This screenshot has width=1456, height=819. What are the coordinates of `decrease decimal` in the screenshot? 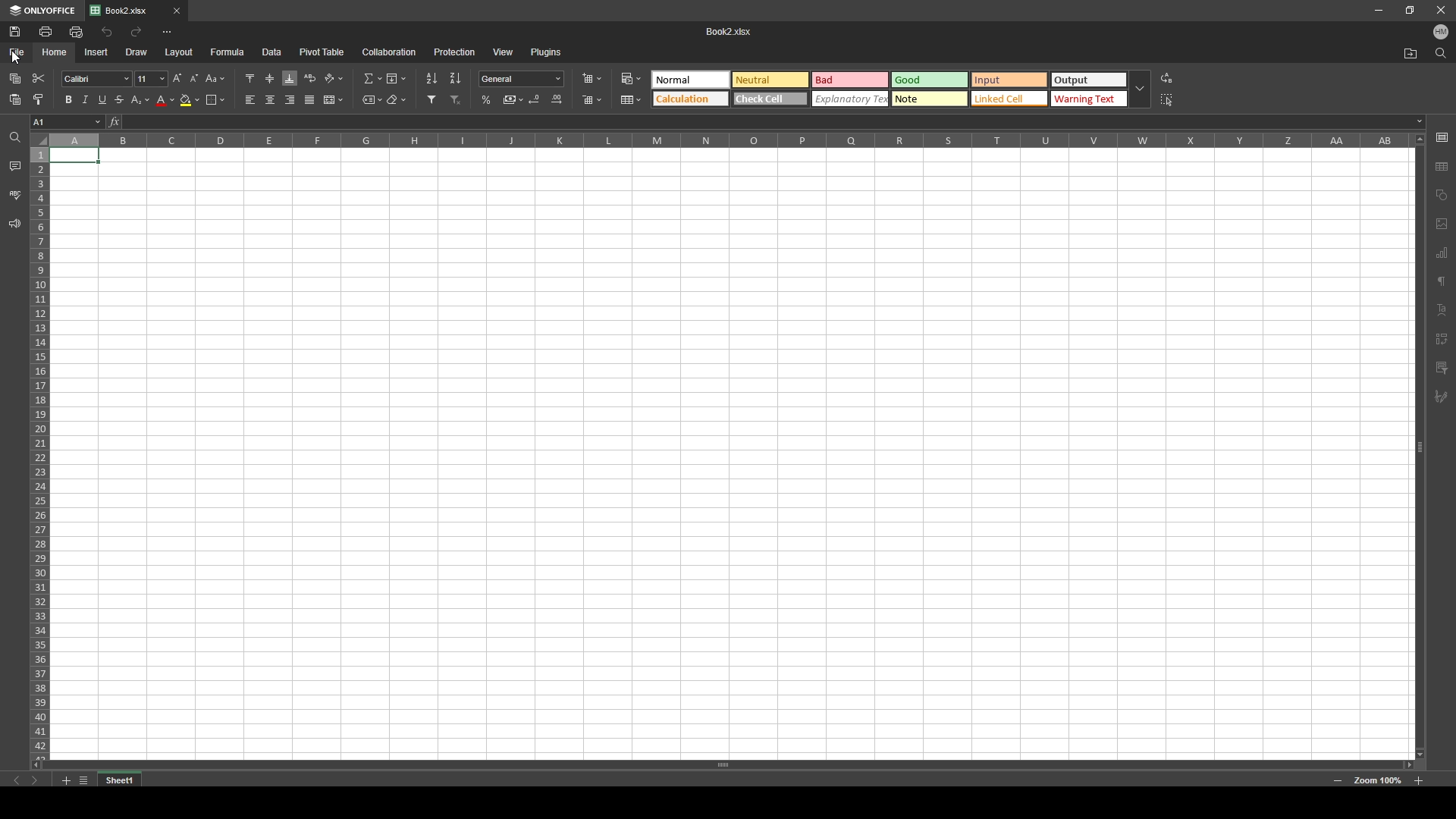 It's located at (535, 99).